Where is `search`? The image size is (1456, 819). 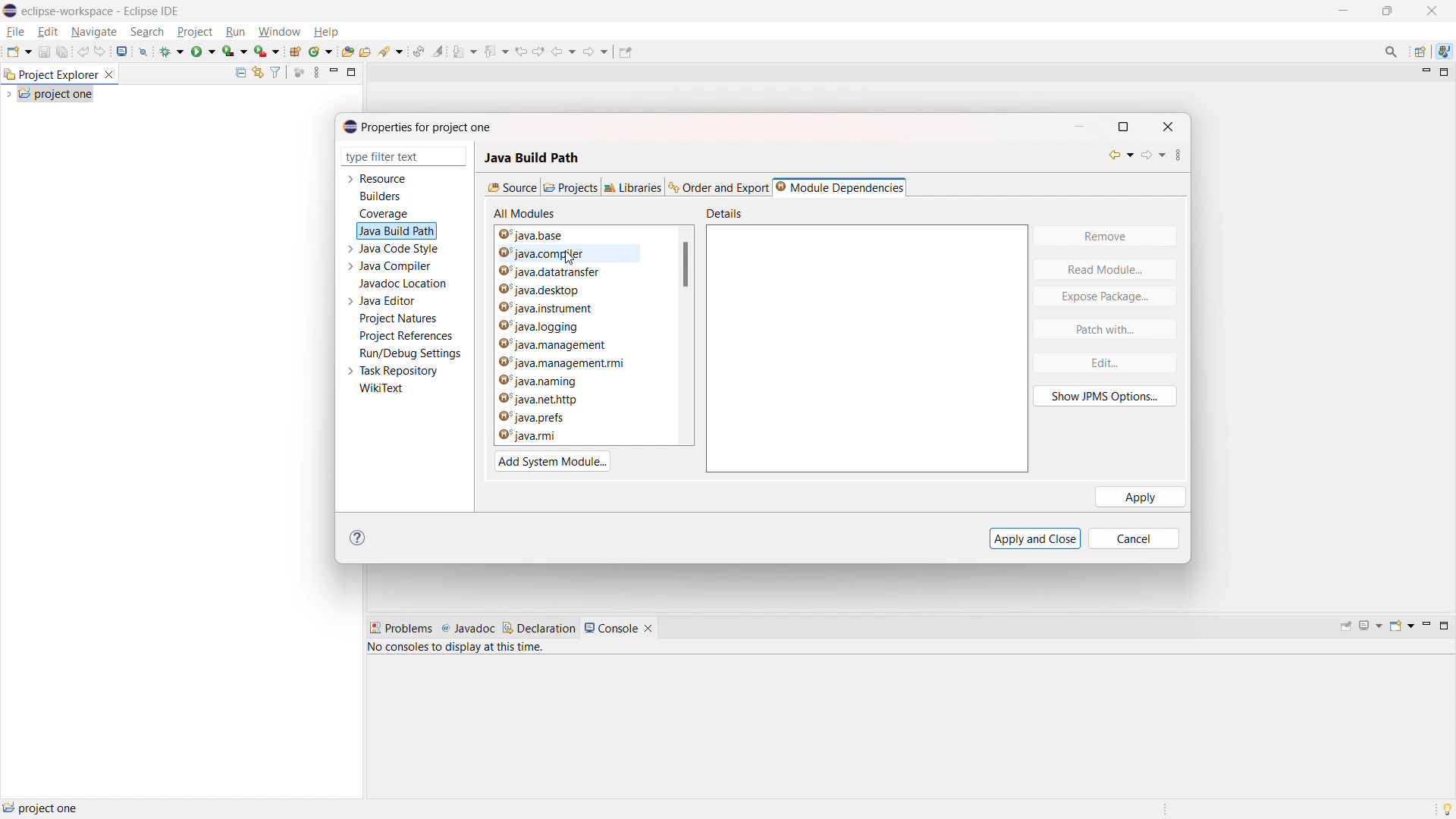
search is located at coordinates (148, 31).